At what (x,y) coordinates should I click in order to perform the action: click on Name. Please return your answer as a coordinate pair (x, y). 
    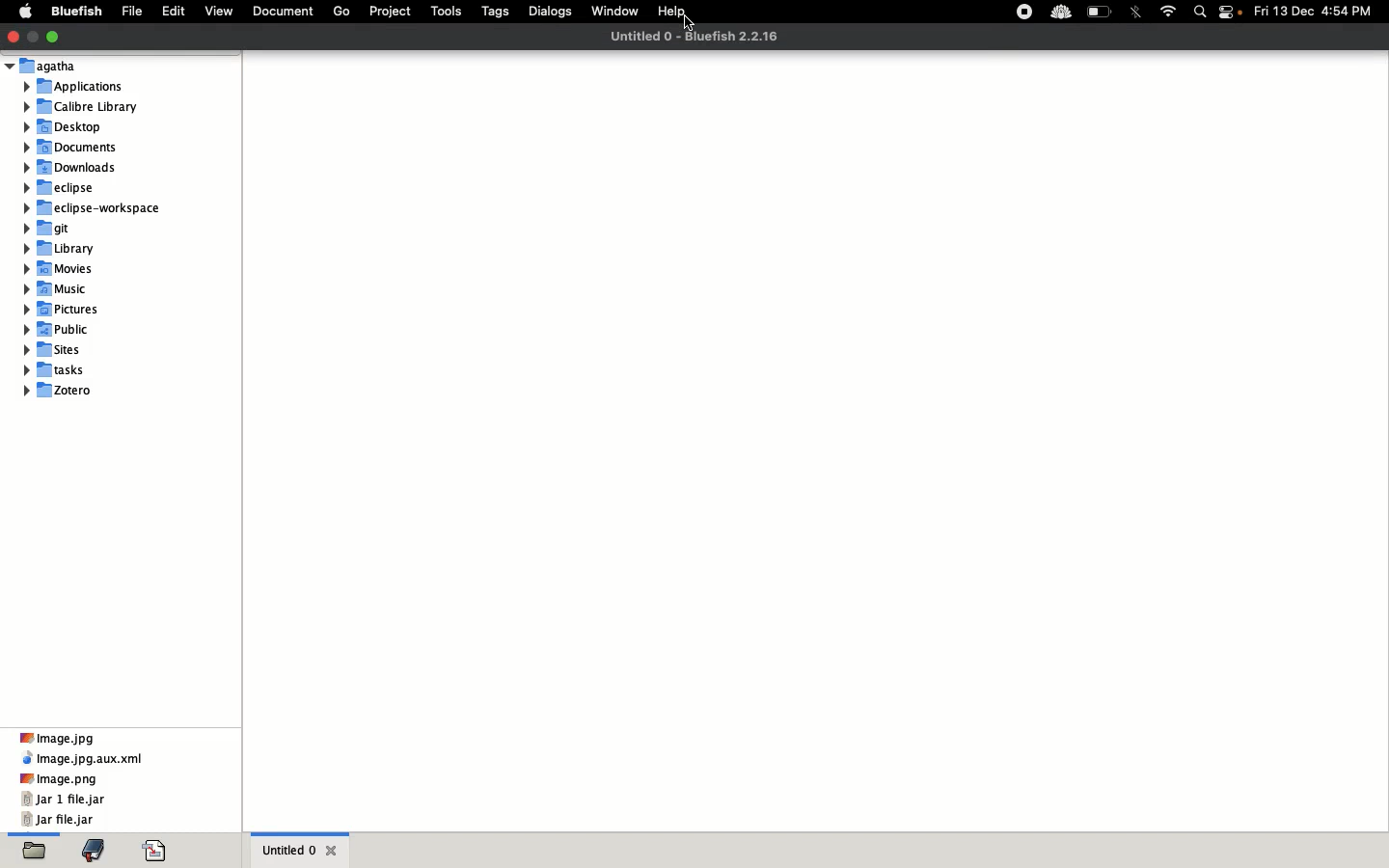
    Looking at the image, I should click on (642, 38).